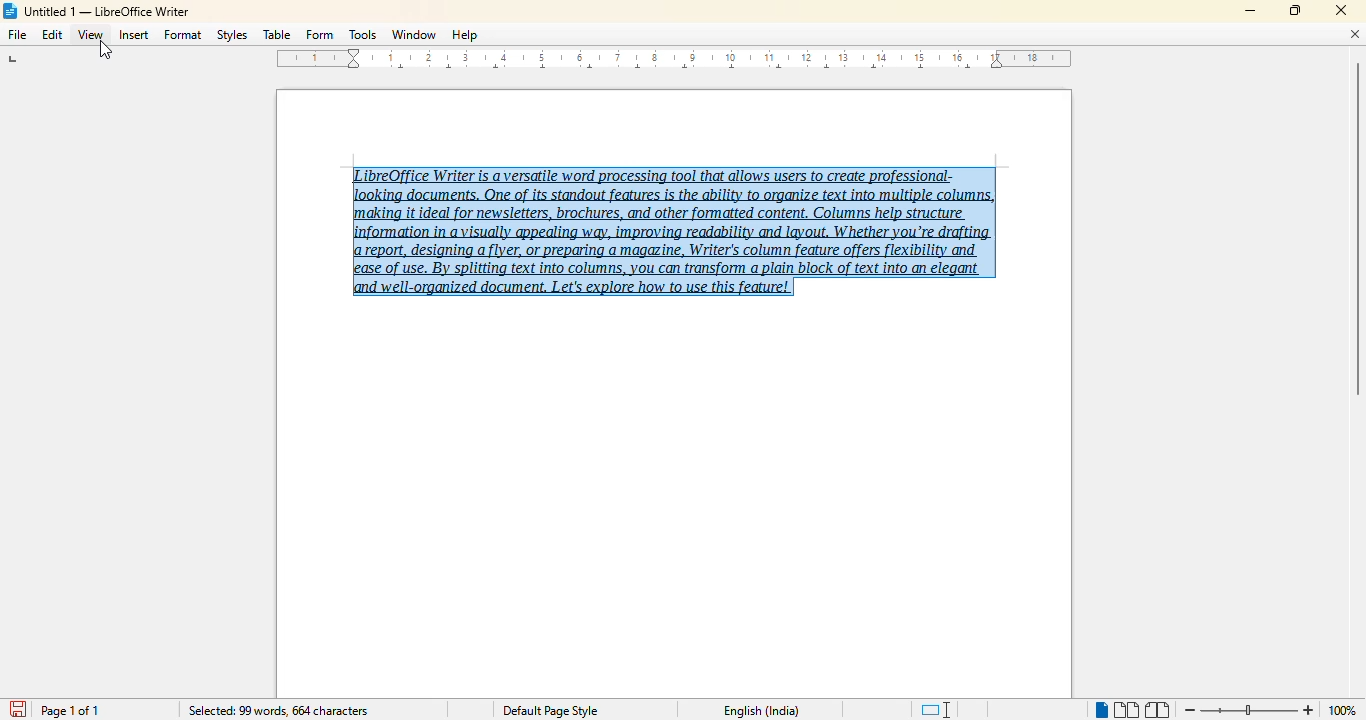 Image resolution: width=1366 pixels, height=720 pixels. Describe the element at coordinates (934, 710) in the screenshot. I see `standard selection` at that location.